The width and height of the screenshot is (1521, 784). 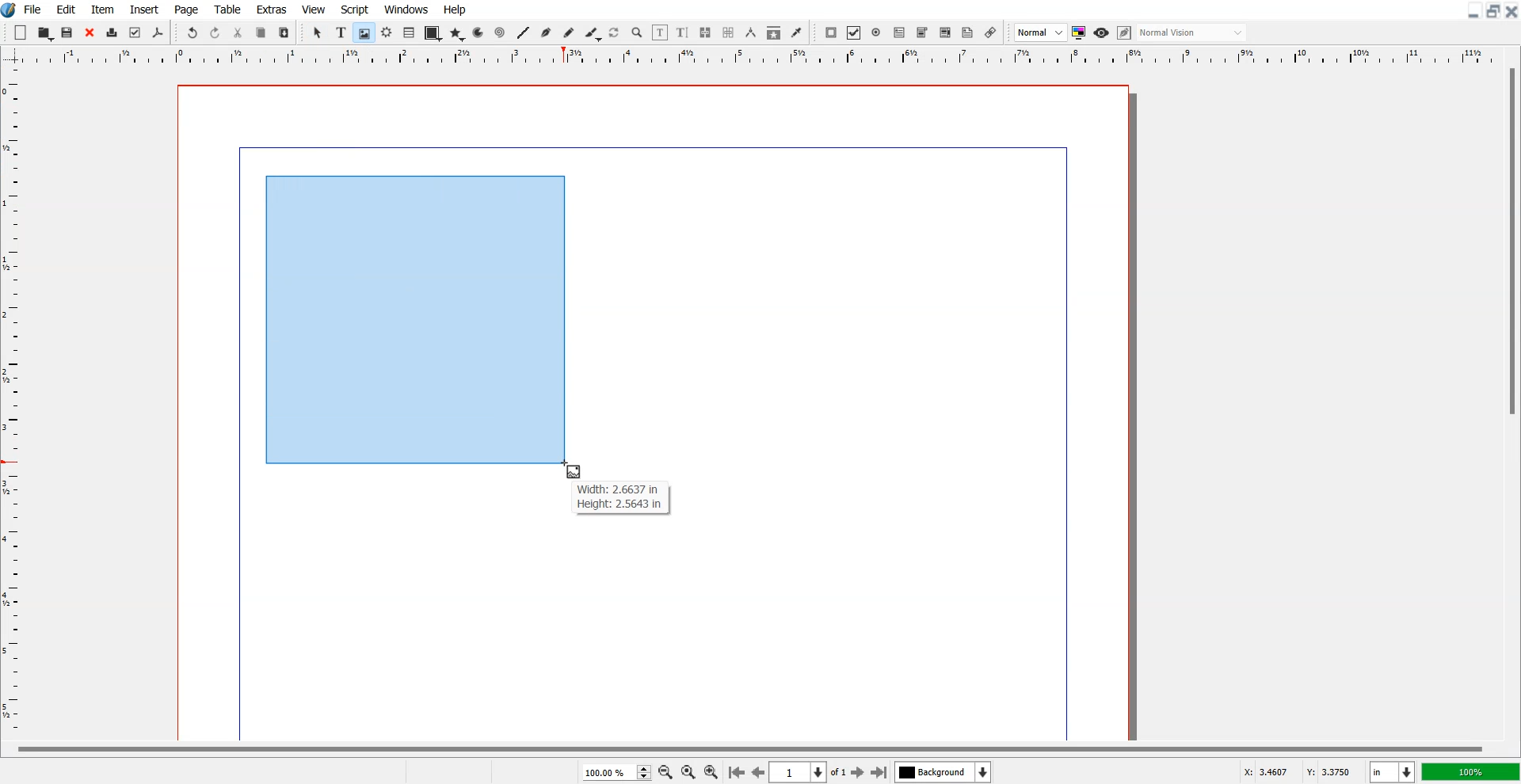 What do you see at coordinates (665, 771) in the screenshot?
I see `Zoom Out` at bounding box center [665, 771].